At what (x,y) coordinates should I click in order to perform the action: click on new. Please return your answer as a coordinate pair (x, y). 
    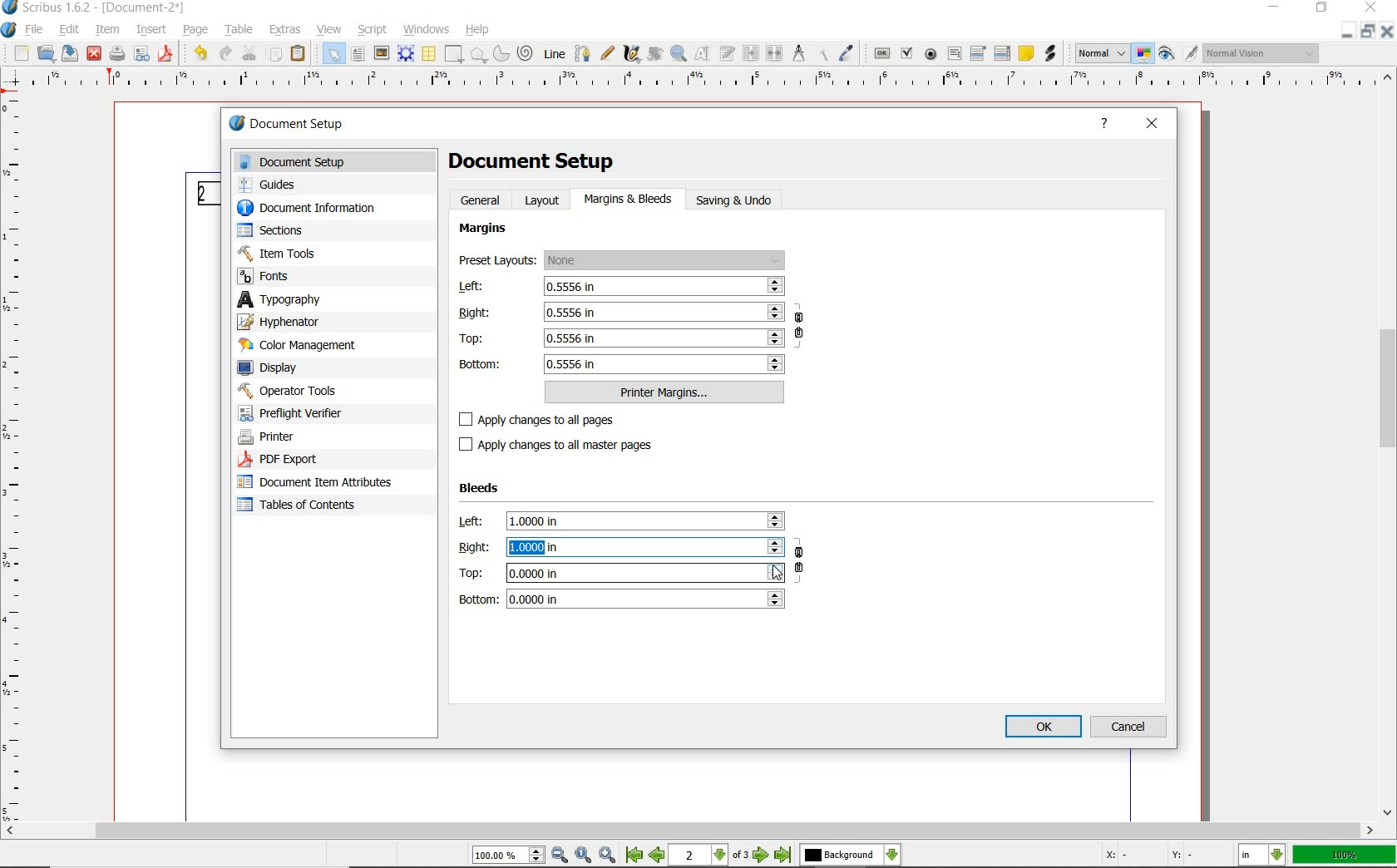
    Looking at the image, I should click on (22, 54).